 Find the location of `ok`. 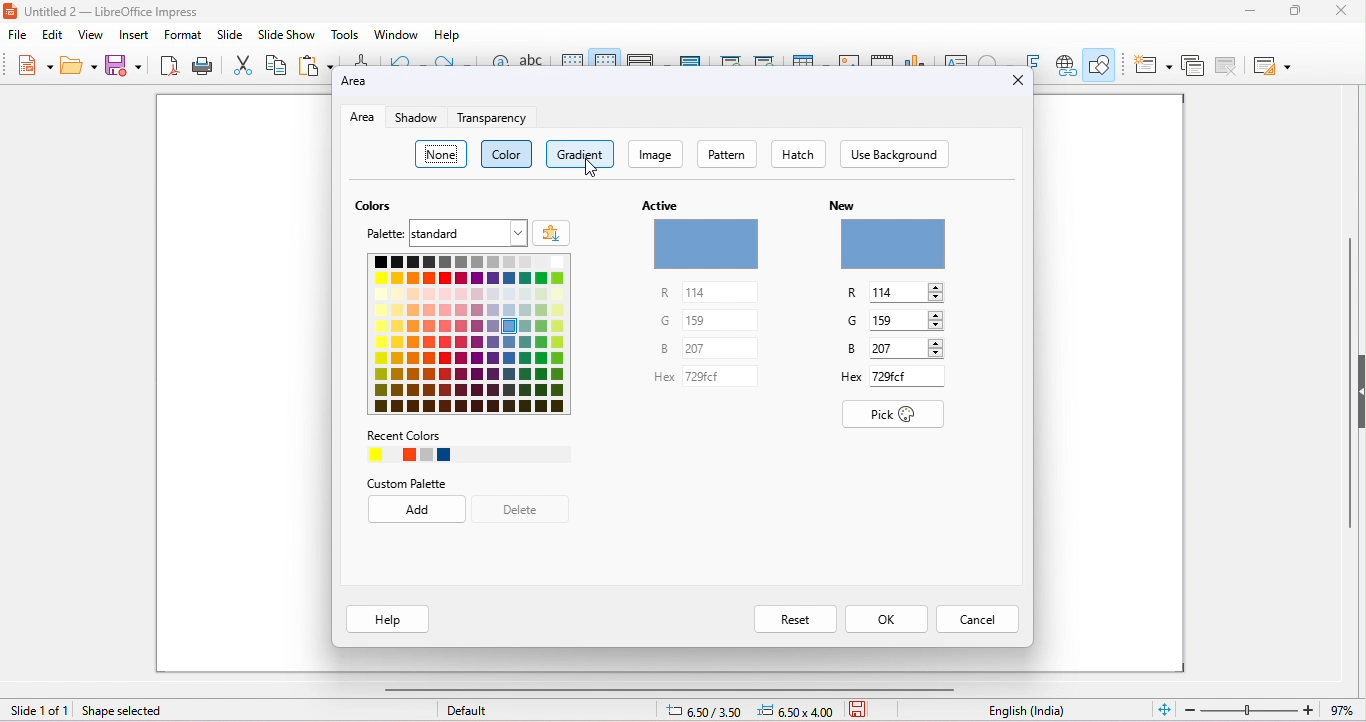

ok is located at coordinates (886, 620).